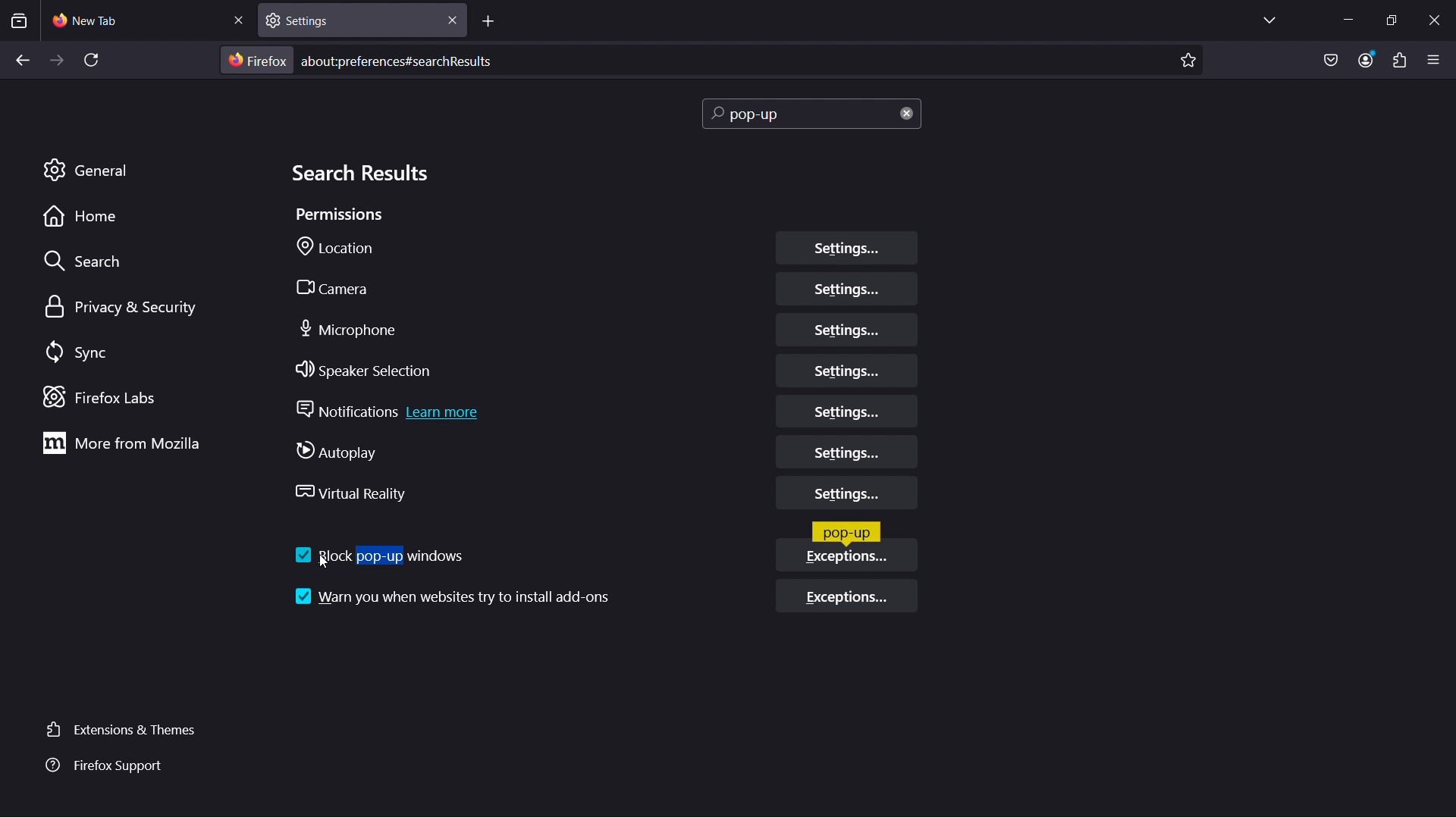  What do you see at coordinates (1345, 20) in the screenshot?
I see `Minimize` at bounding box center [1345, 20].